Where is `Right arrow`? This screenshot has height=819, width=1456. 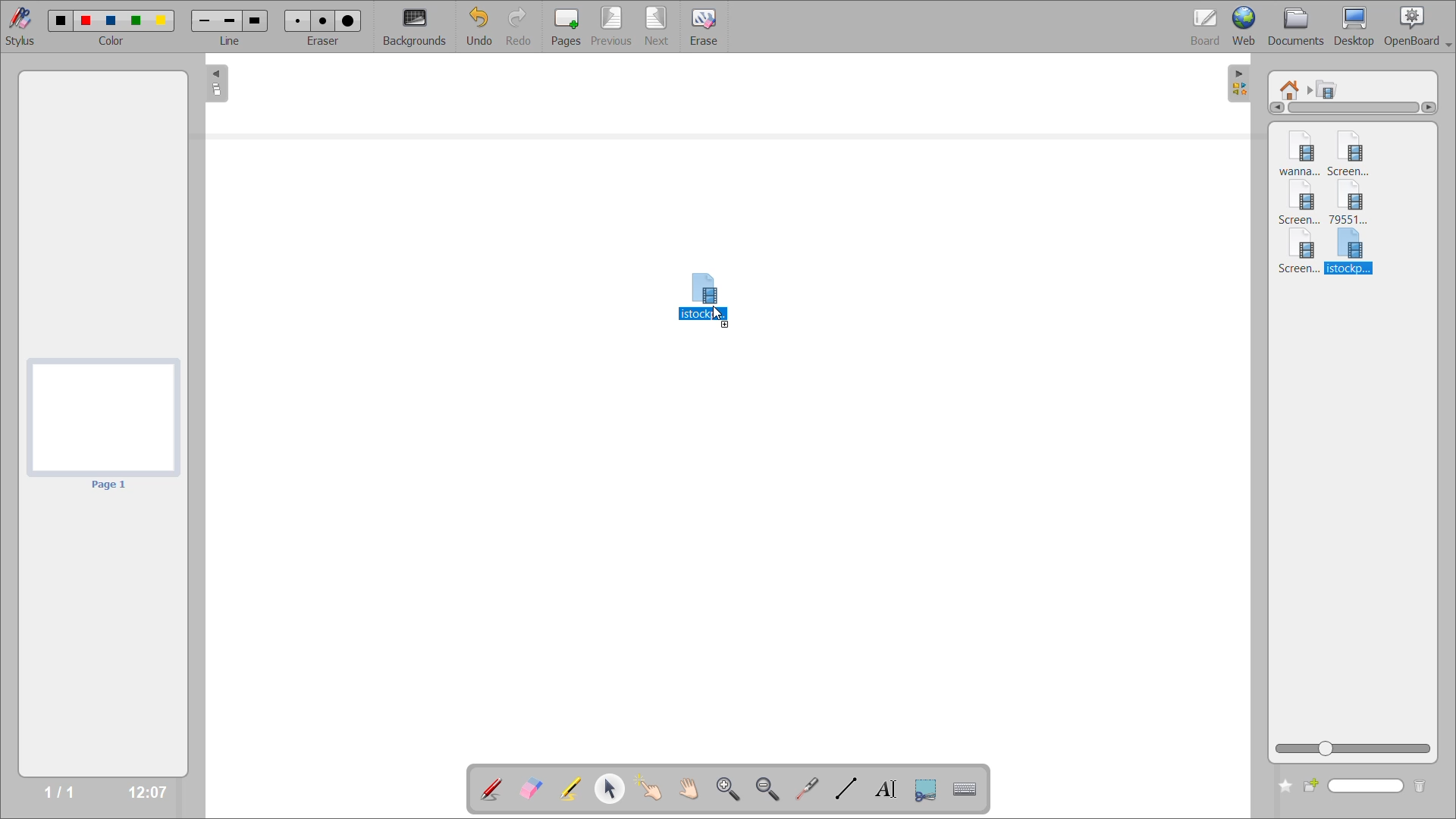
Right arrow is located at coordinates (1432, 110).